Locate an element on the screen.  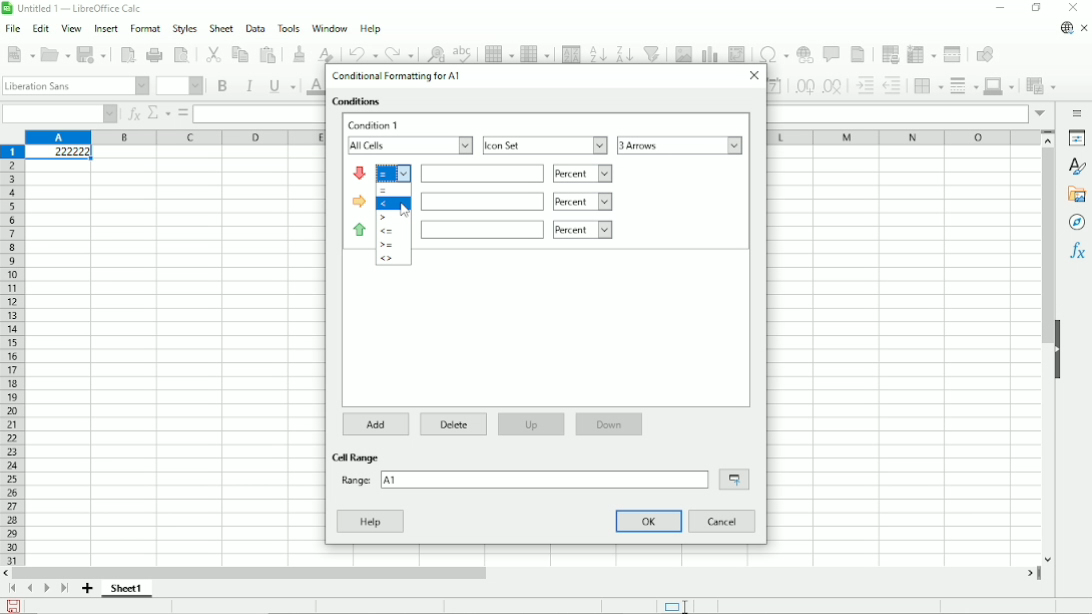
Font size is located at coordinates (178, 86).